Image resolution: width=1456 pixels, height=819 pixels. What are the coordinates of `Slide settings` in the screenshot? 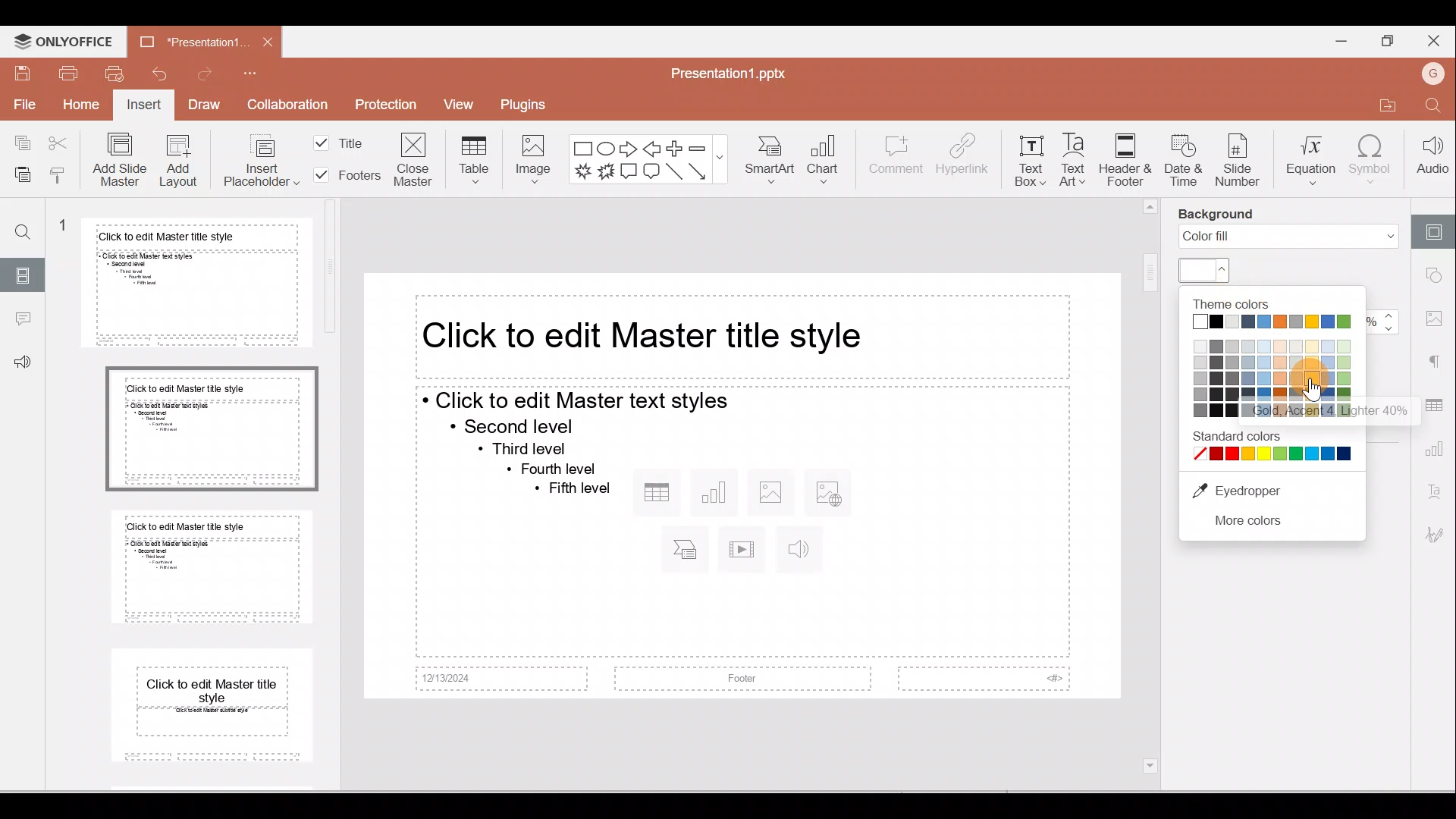 It's located at (1437, 227).